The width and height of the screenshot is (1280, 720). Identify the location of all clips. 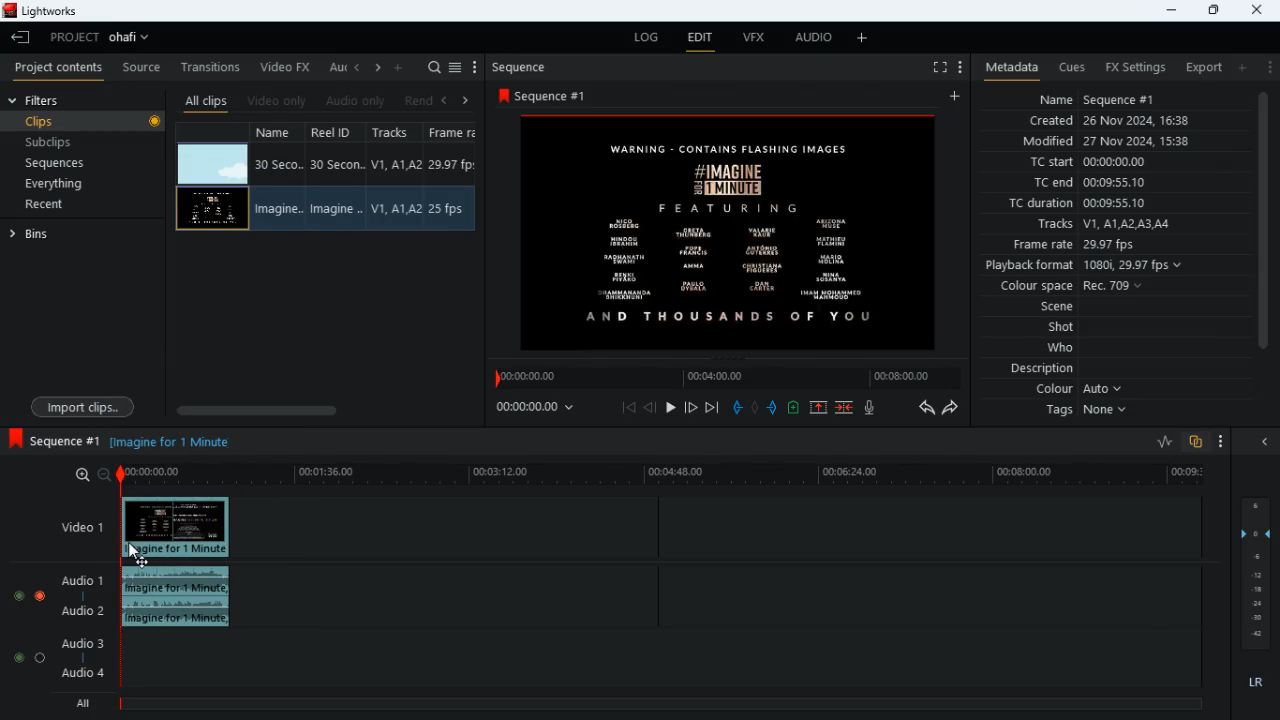
(207, 99).